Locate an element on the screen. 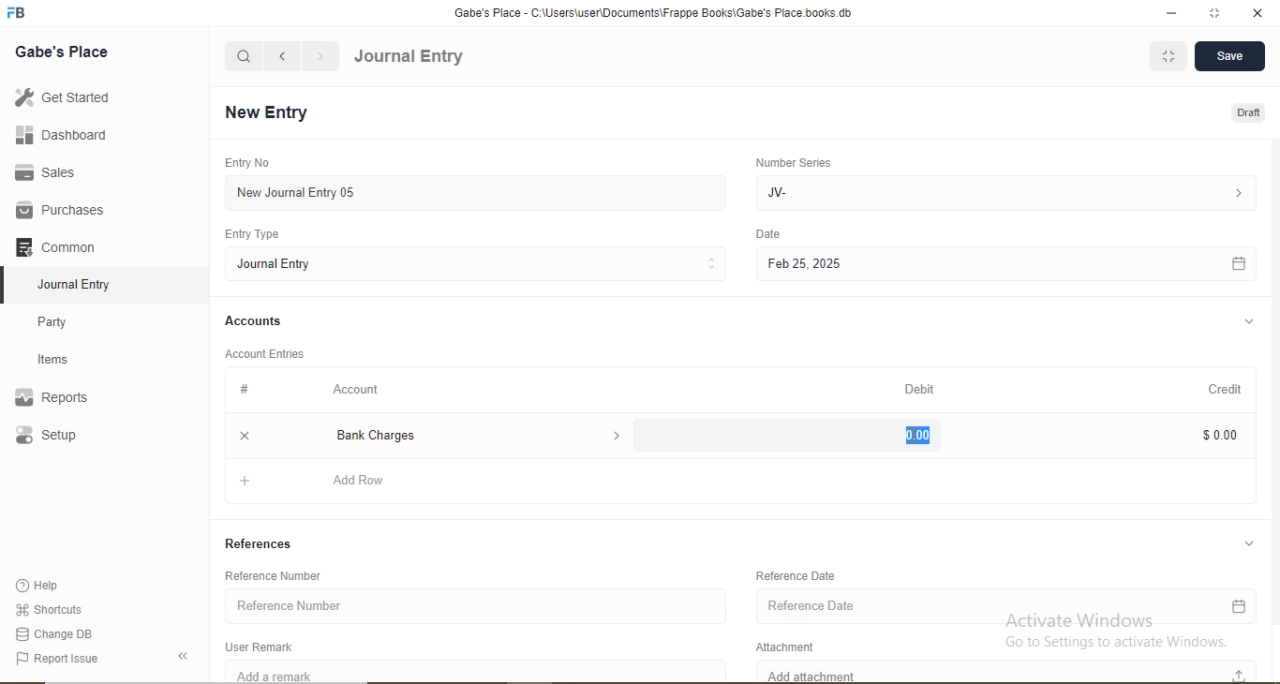  logo is located at coordinates (18, 13).